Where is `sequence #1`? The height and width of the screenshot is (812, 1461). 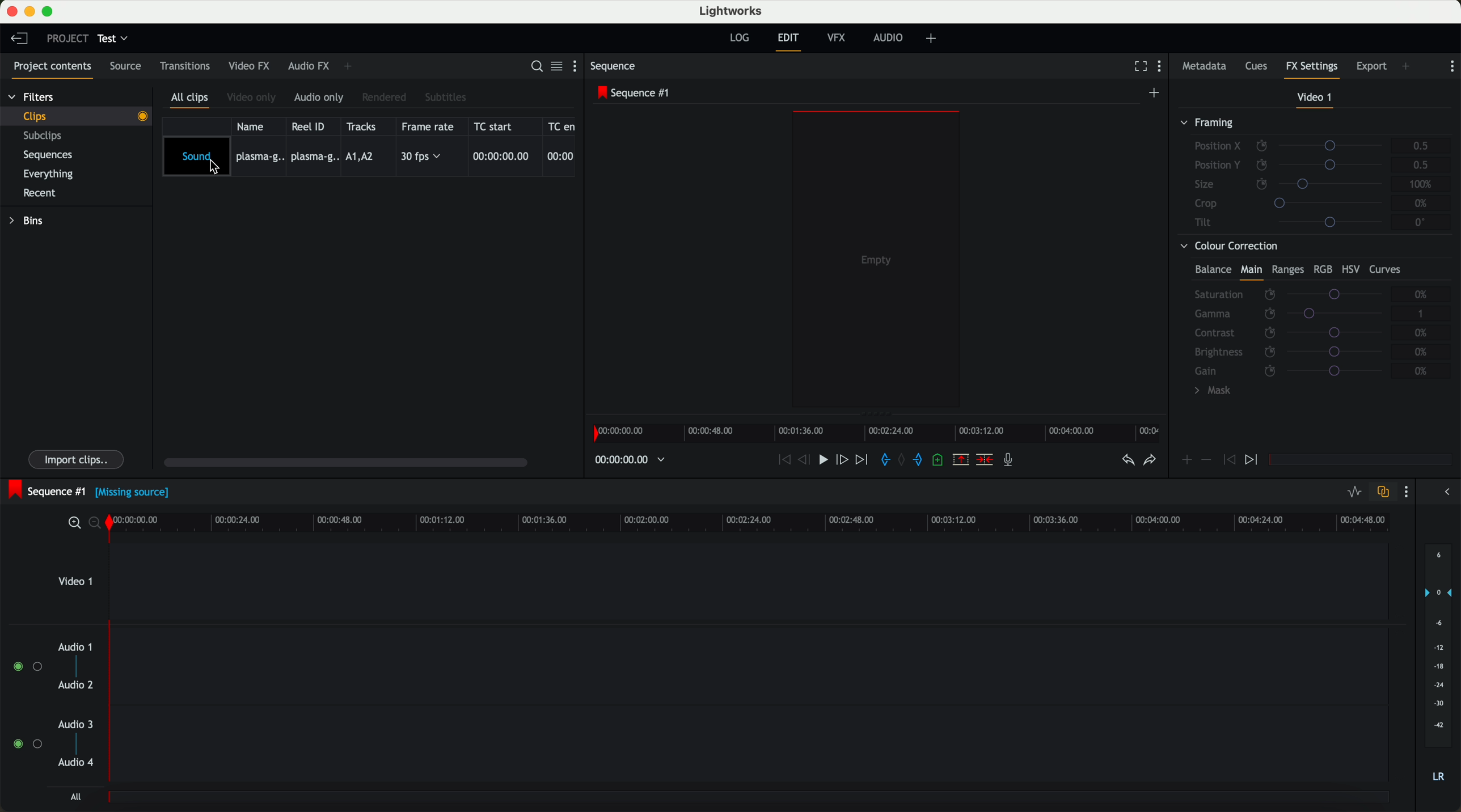
sequence #1 is located at coordinates (635, 94).